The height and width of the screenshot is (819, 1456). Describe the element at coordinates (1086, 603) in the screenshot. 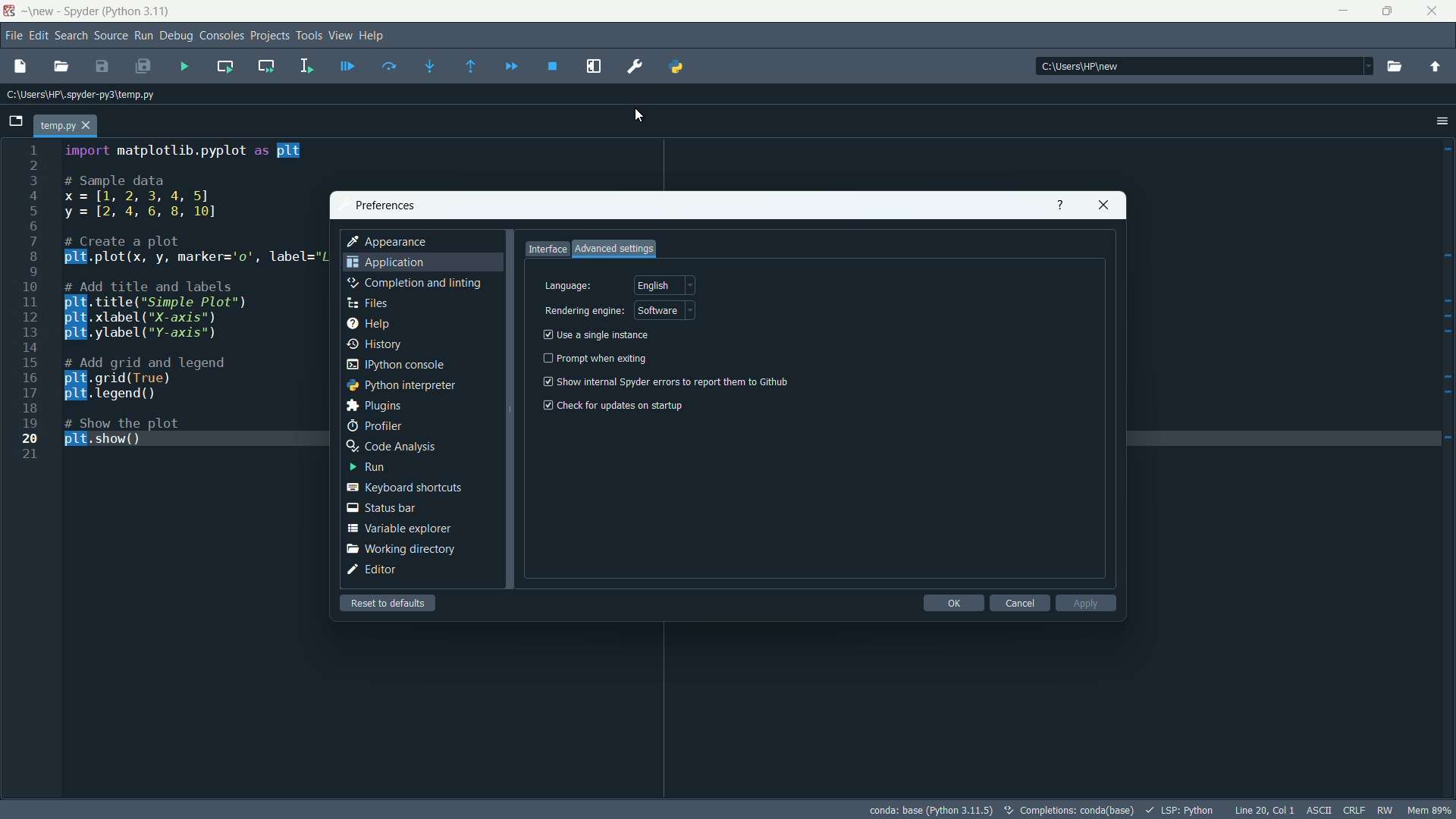

I see `apply` at that location.